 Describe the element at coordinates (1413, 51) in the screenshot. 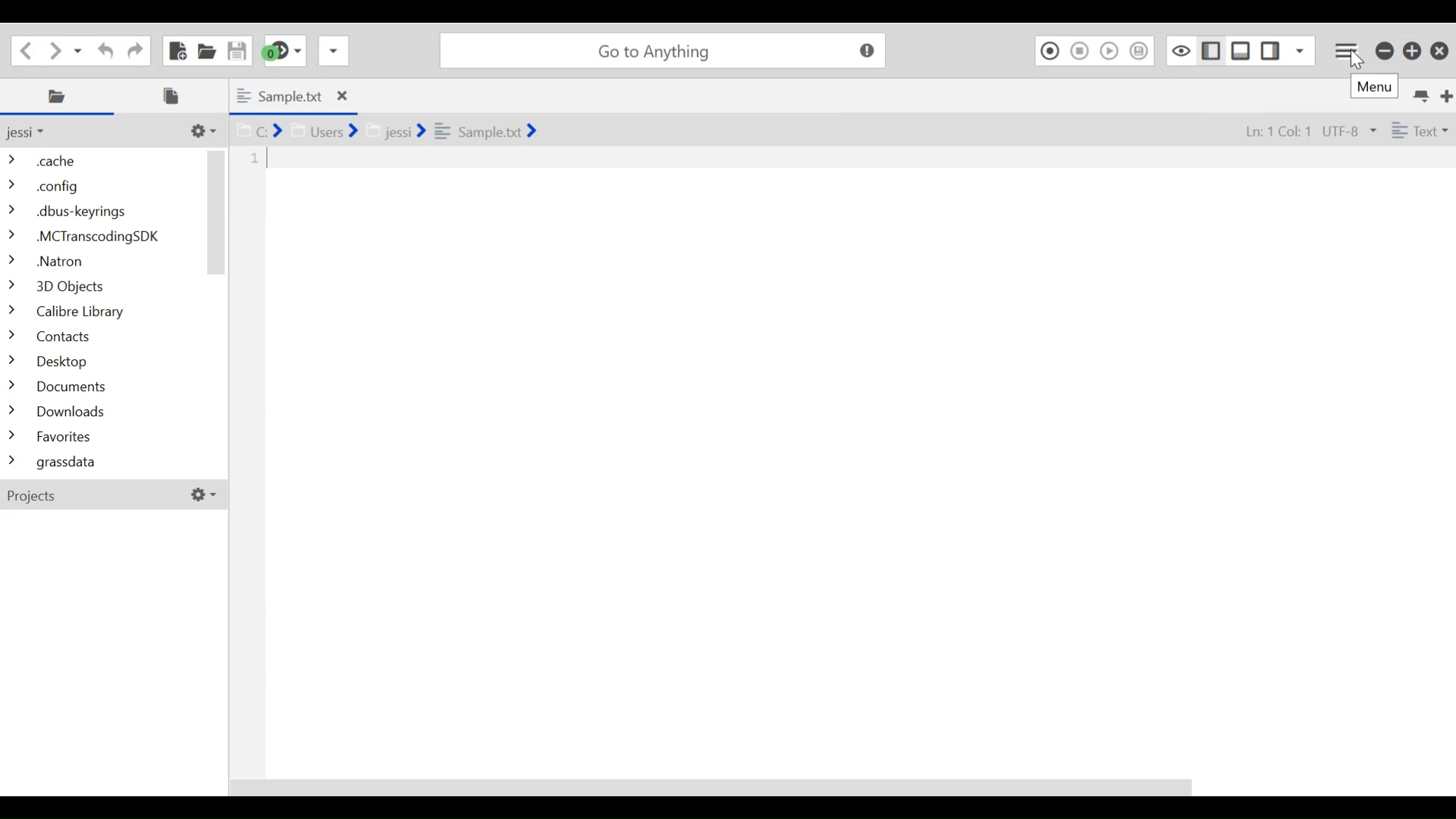

I see `Restore` at that location.